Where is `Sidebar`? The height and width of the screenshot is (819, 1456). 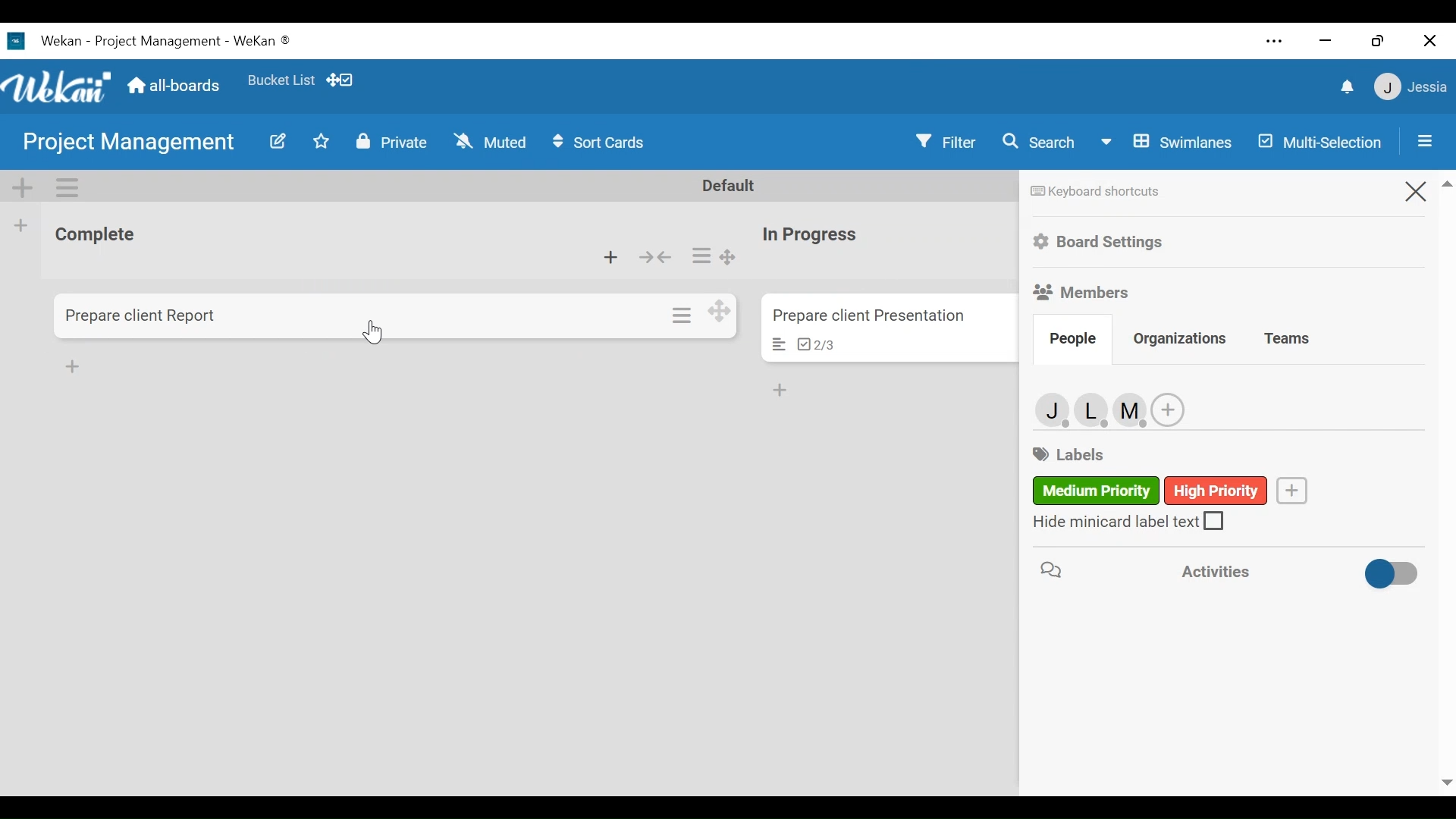 Sidebar is located at coordinates (1426, 140).